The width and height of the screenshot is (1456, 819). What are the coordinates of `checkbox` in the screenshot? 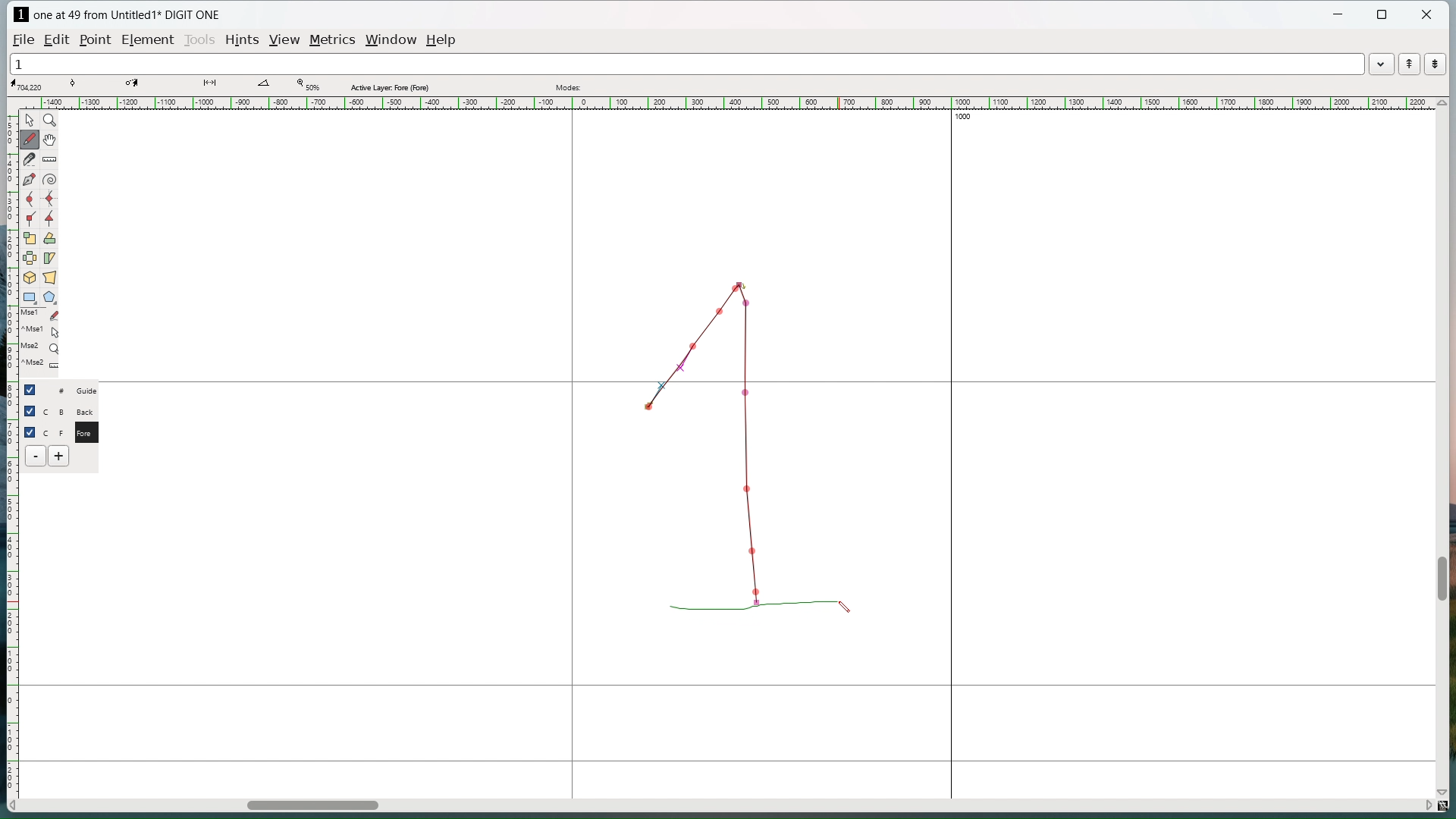 It's located at (30, 411).